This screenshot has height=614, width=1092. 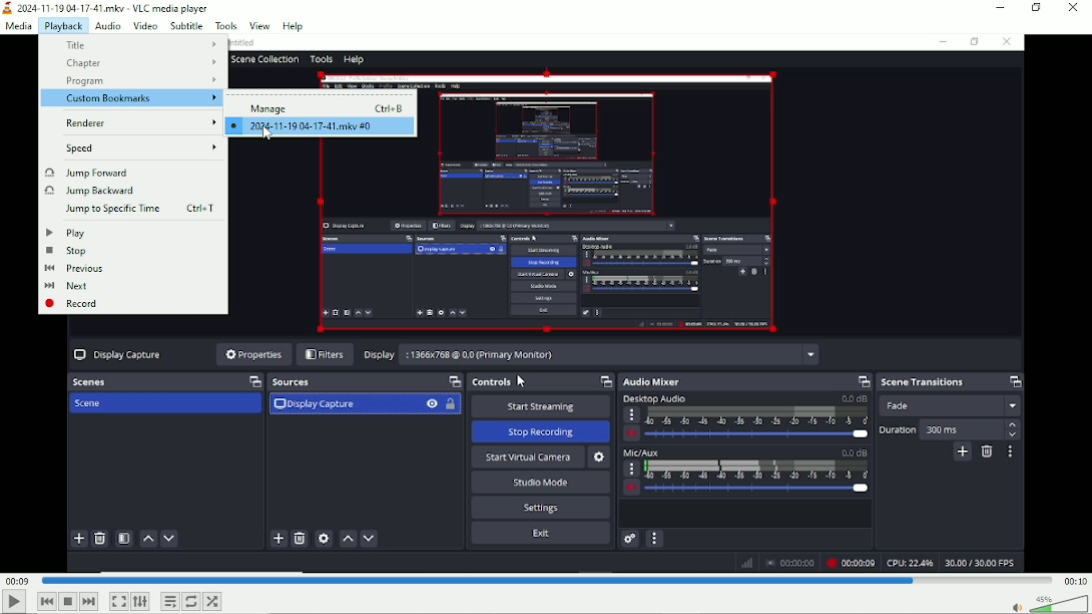 I want to click on Audio, so click(x=107, y=25).